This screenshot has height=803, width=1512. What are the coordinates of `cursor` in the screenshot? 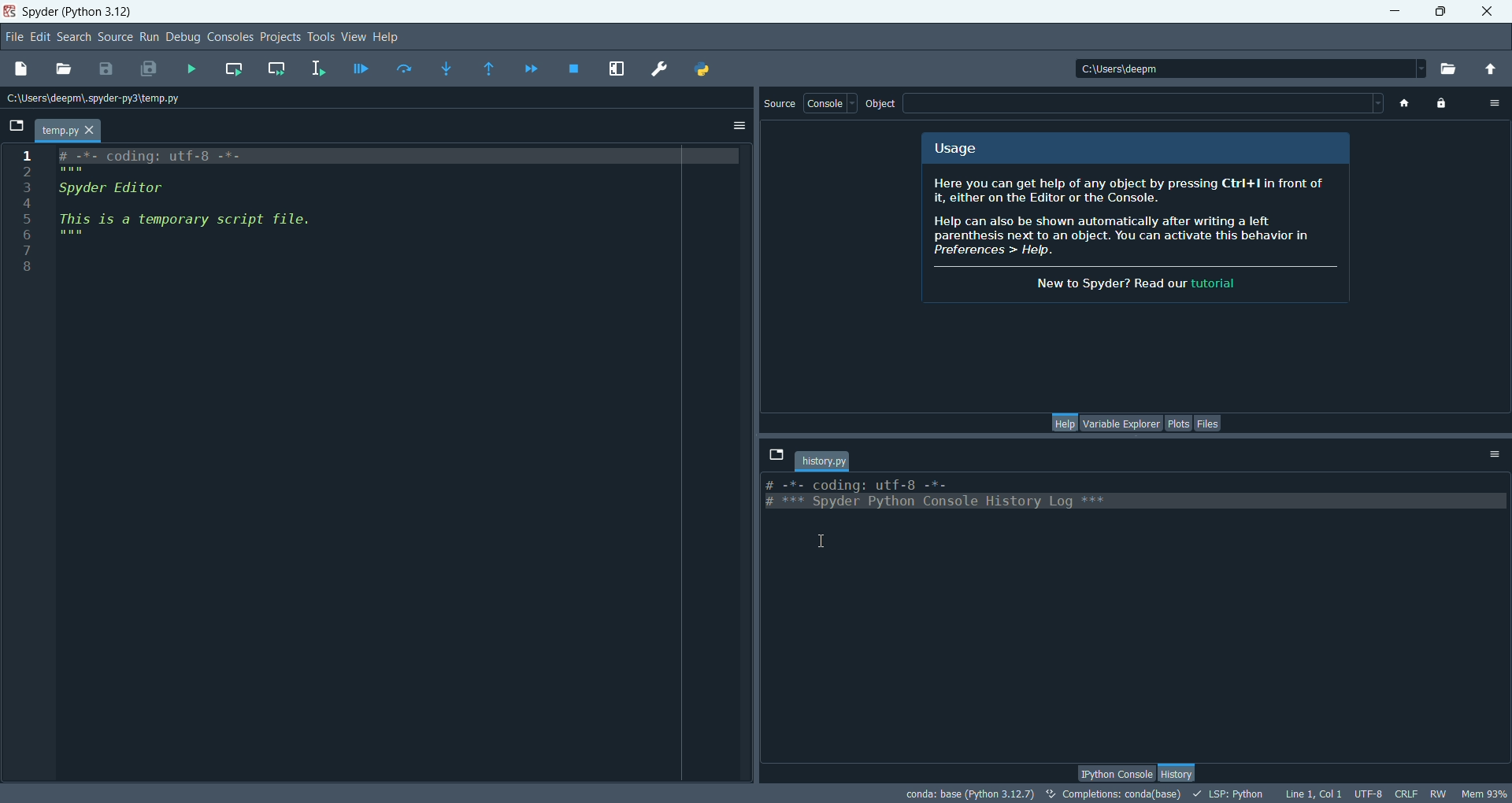 It's located at (825, 541).